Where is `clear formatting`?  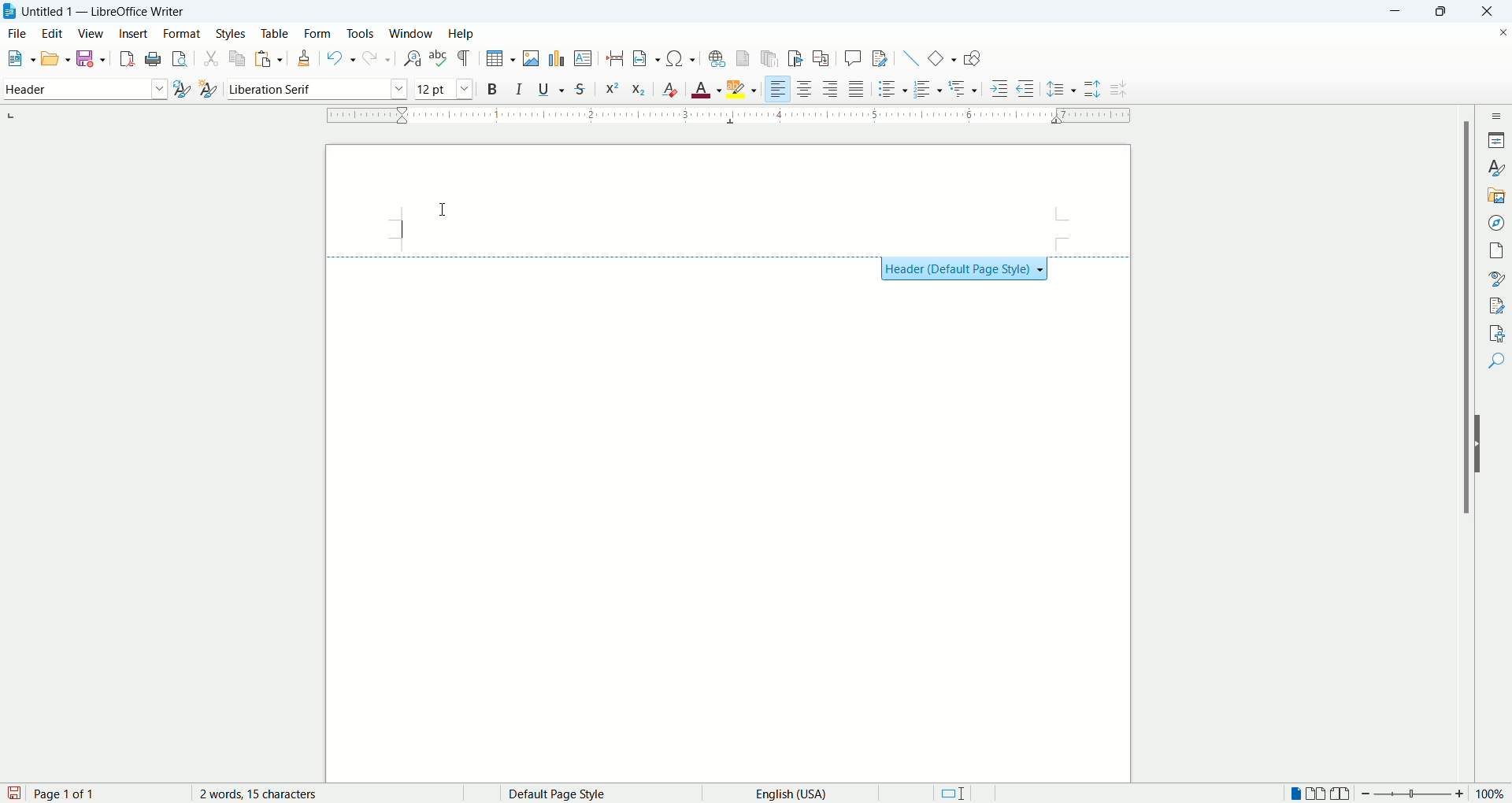 clear formatting is located at coordinates (670, 89).